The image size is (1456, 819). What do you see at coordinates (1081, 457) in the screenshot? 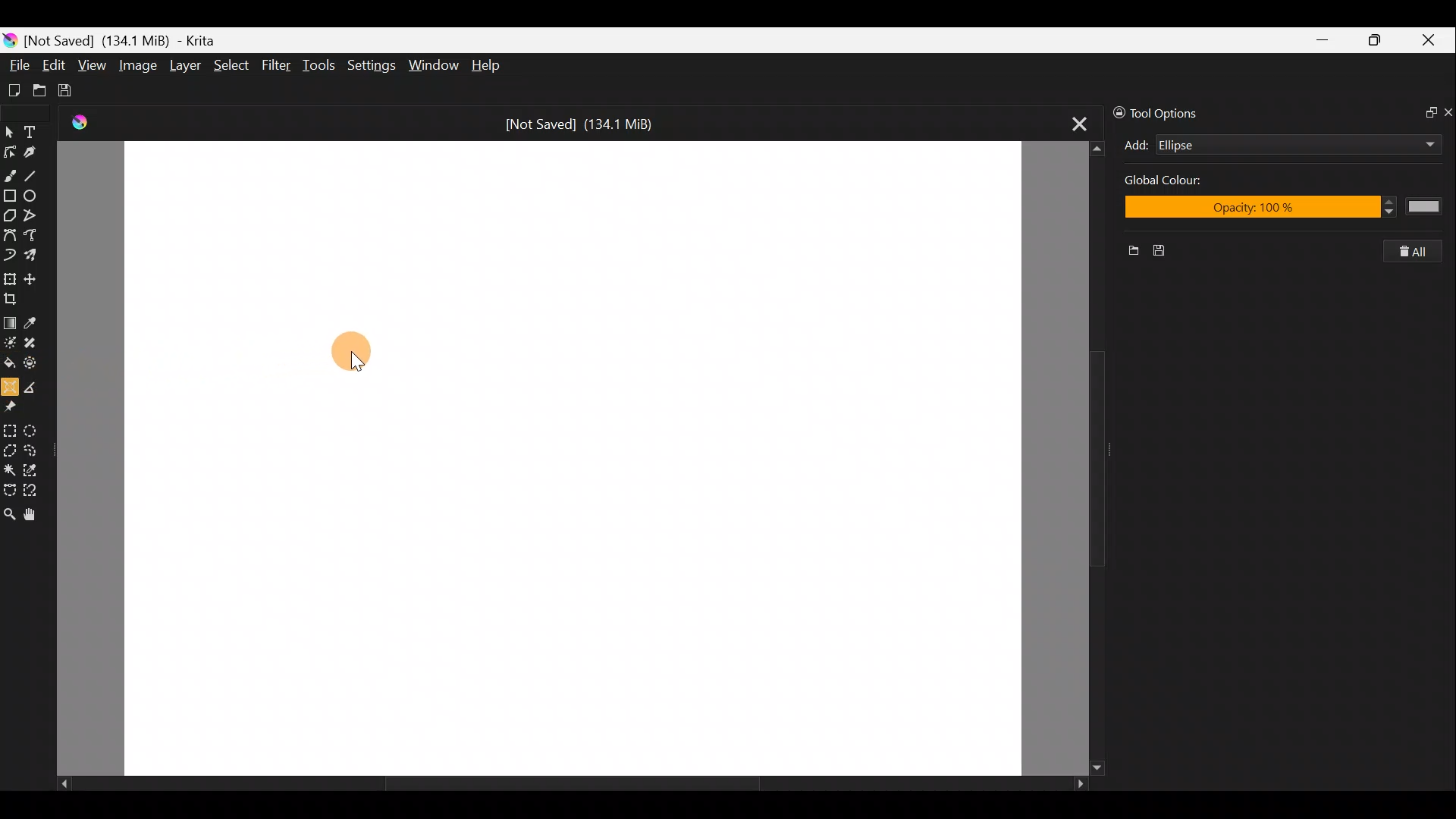
I see `Scroll bar` at bounding box center [1081, 457].